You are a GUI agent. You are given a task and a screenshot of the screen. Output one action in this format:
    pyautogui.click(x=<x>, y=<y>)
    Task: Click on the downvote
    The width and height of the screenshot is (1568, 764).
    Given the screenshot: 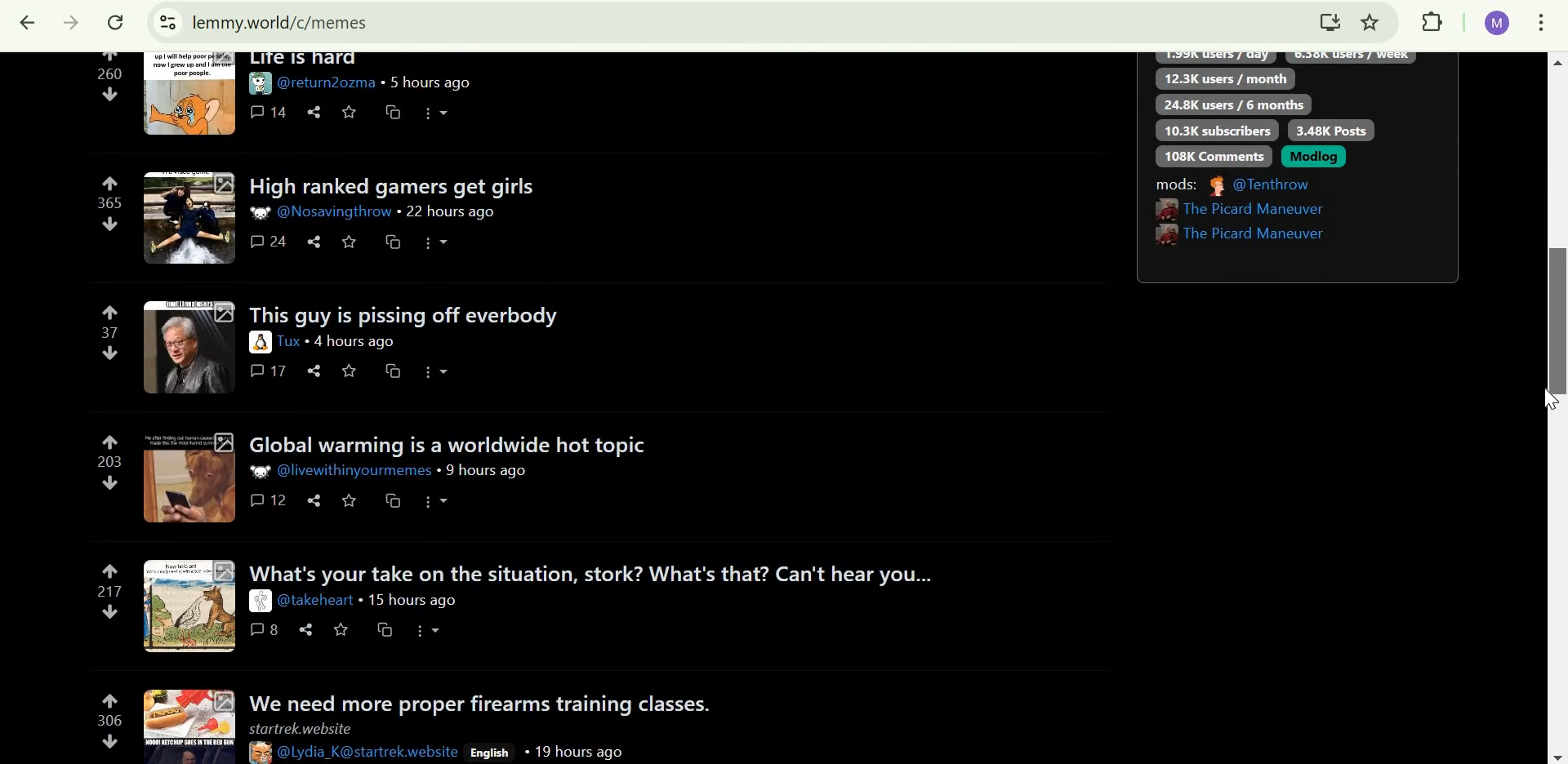 What is the action you would take?
    pyautogui.click(x=111, y=353)
    